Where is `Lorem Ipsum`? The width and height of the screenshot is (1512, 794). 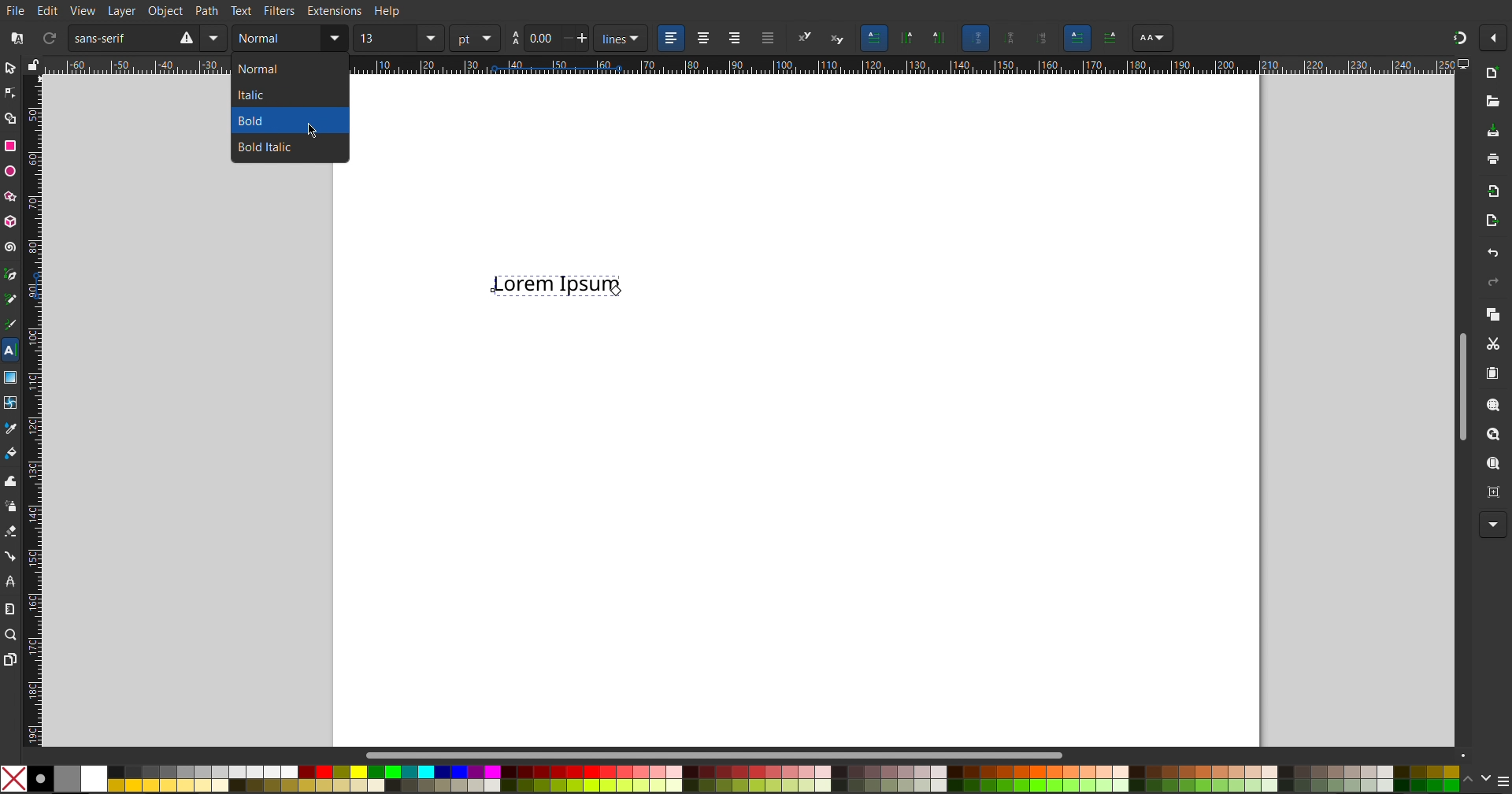
Lorem Ipsum is located at coordinates (559, 281).